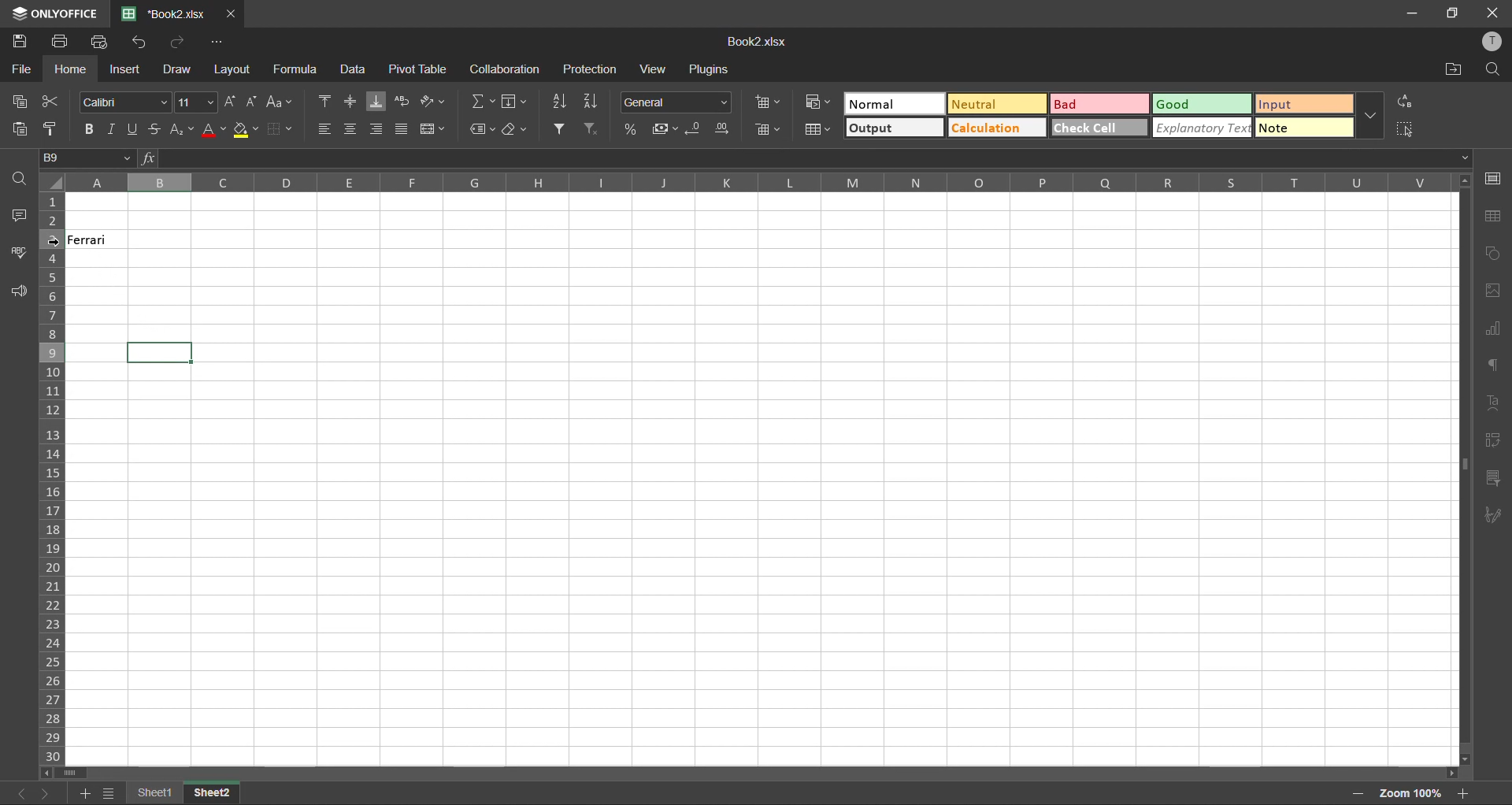  Describe the element at coordinates (19, 293) in the screenshot. I see `feedback` at that location.